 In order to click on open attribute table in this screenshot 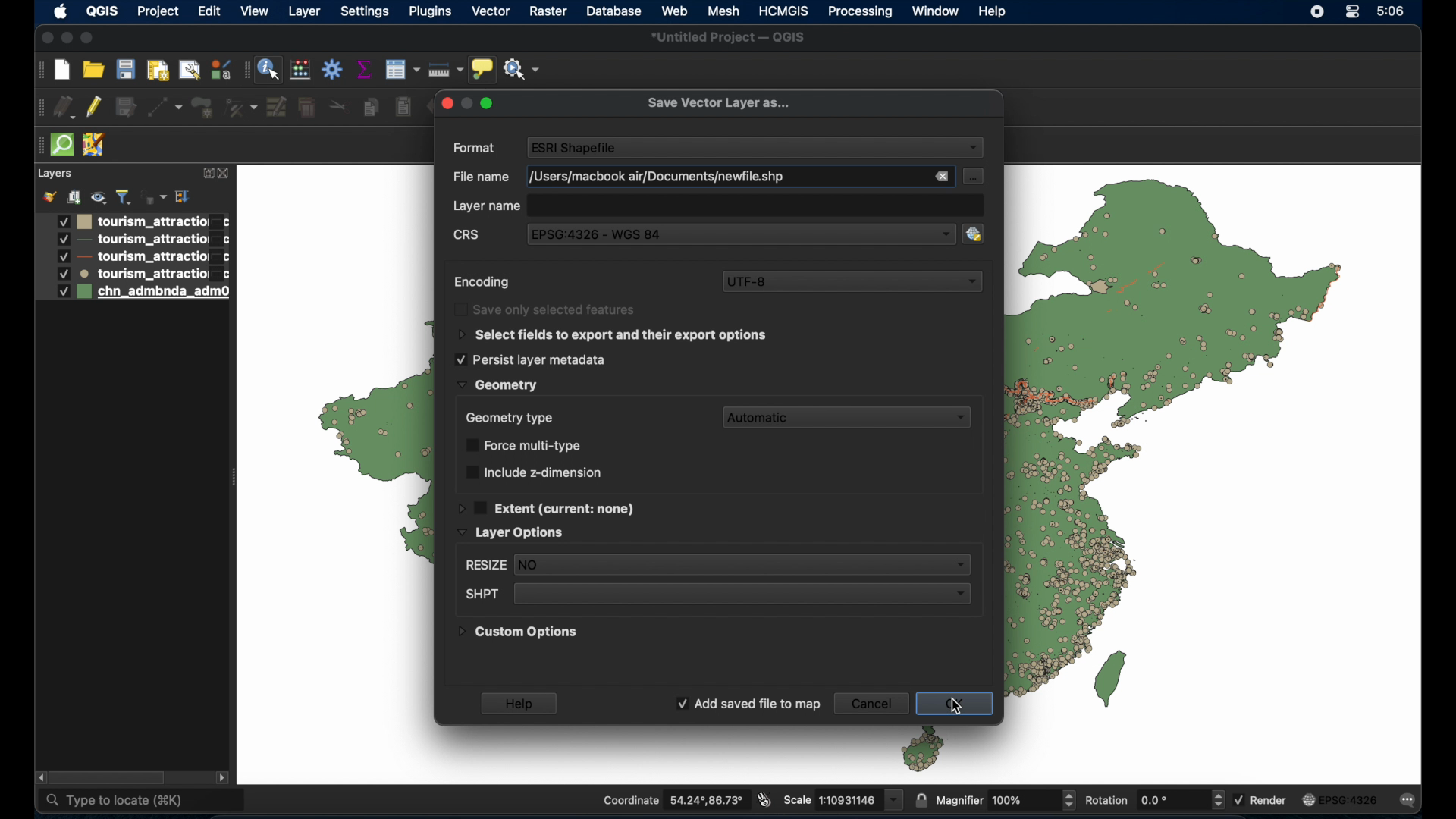, I will do `click(402, 71)`.